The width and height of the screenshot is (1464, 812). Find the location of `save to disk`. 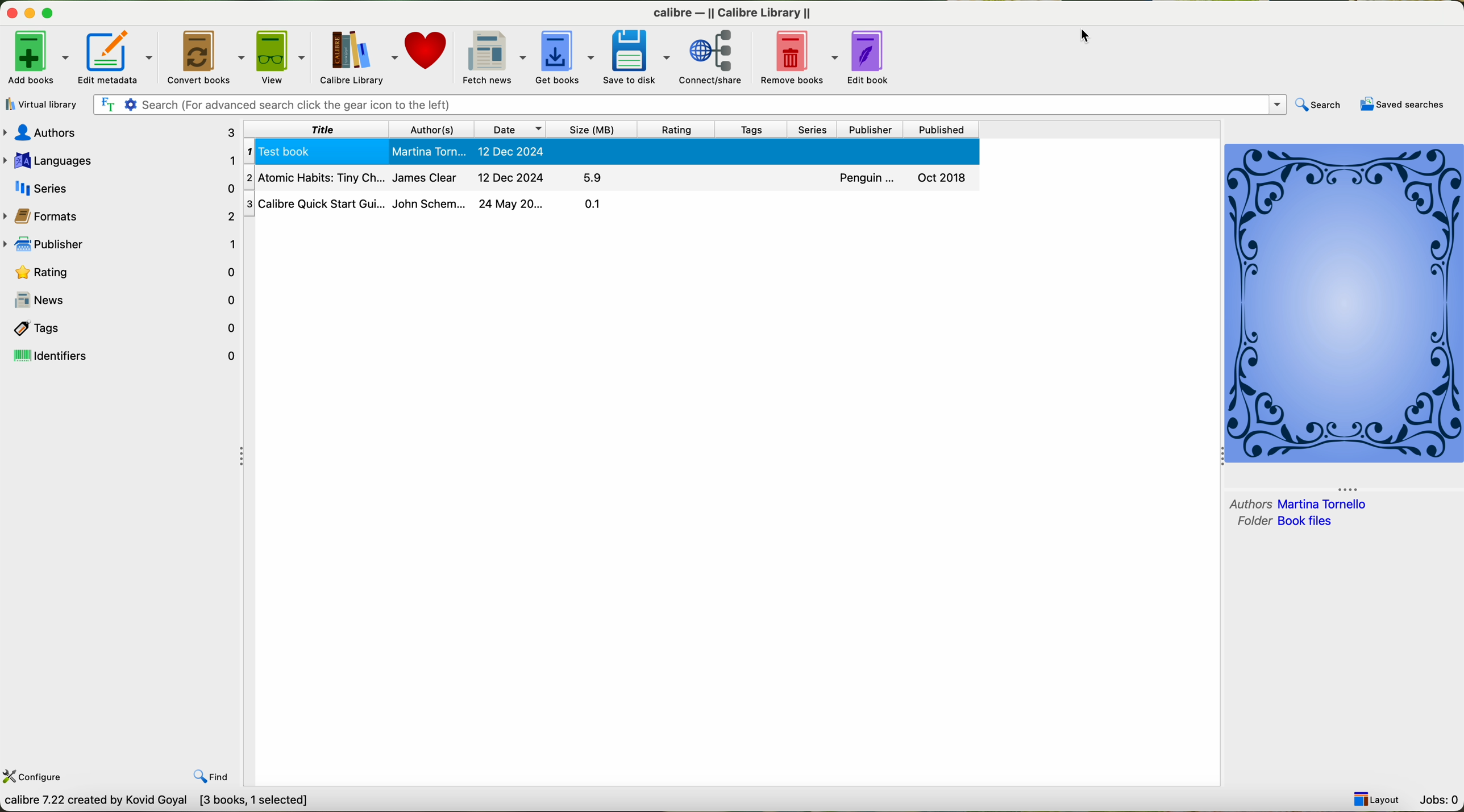

save to disk is located at coordinates (637, 57).